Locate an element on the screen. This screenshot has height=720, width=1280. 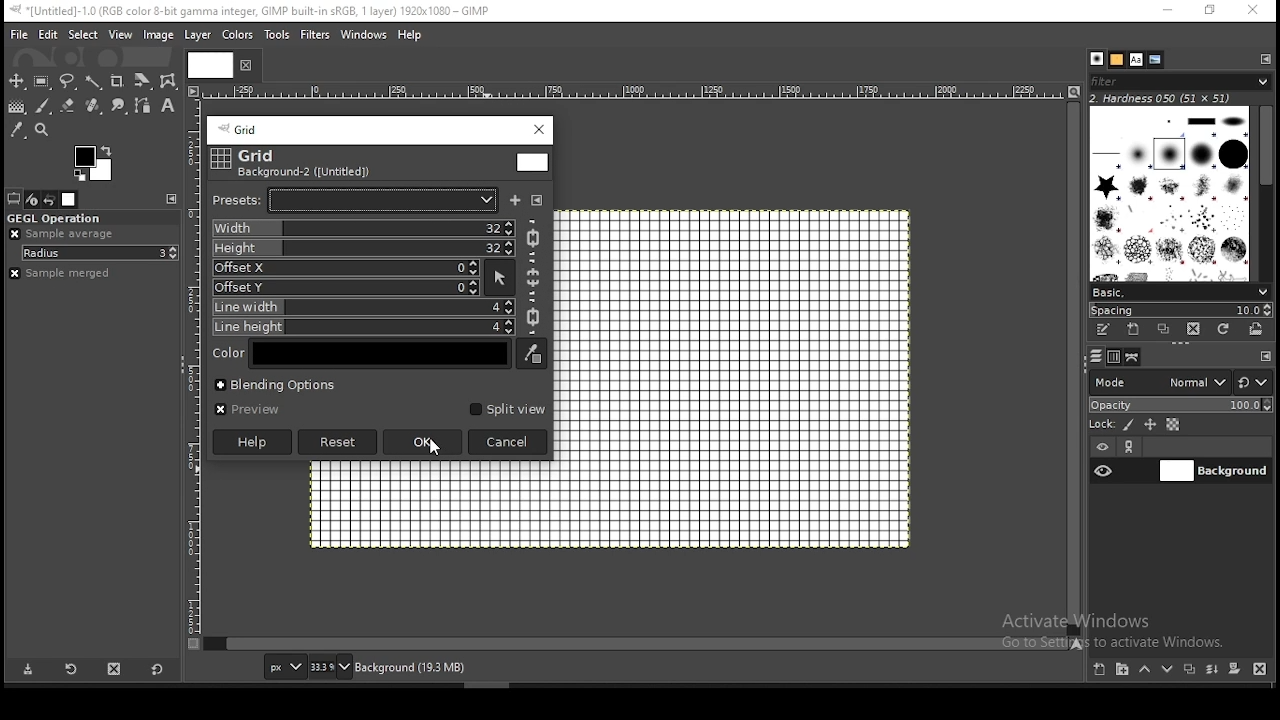
logo is located at coordinates (222, 159).